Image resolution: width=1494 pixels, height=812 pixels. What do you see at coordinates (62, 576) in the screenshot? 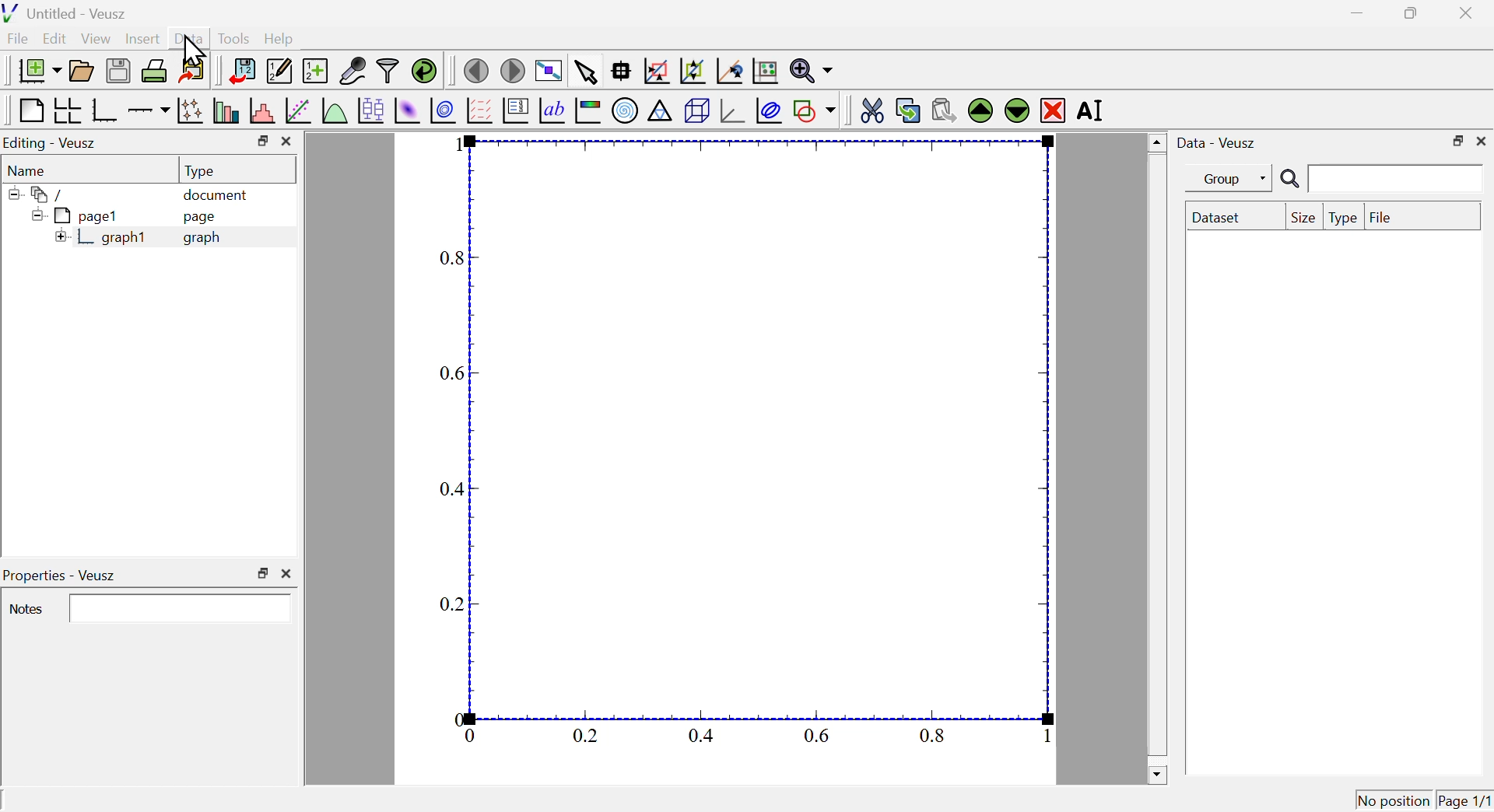
I see `Properties - veusz` at bounding box center [62, 576].